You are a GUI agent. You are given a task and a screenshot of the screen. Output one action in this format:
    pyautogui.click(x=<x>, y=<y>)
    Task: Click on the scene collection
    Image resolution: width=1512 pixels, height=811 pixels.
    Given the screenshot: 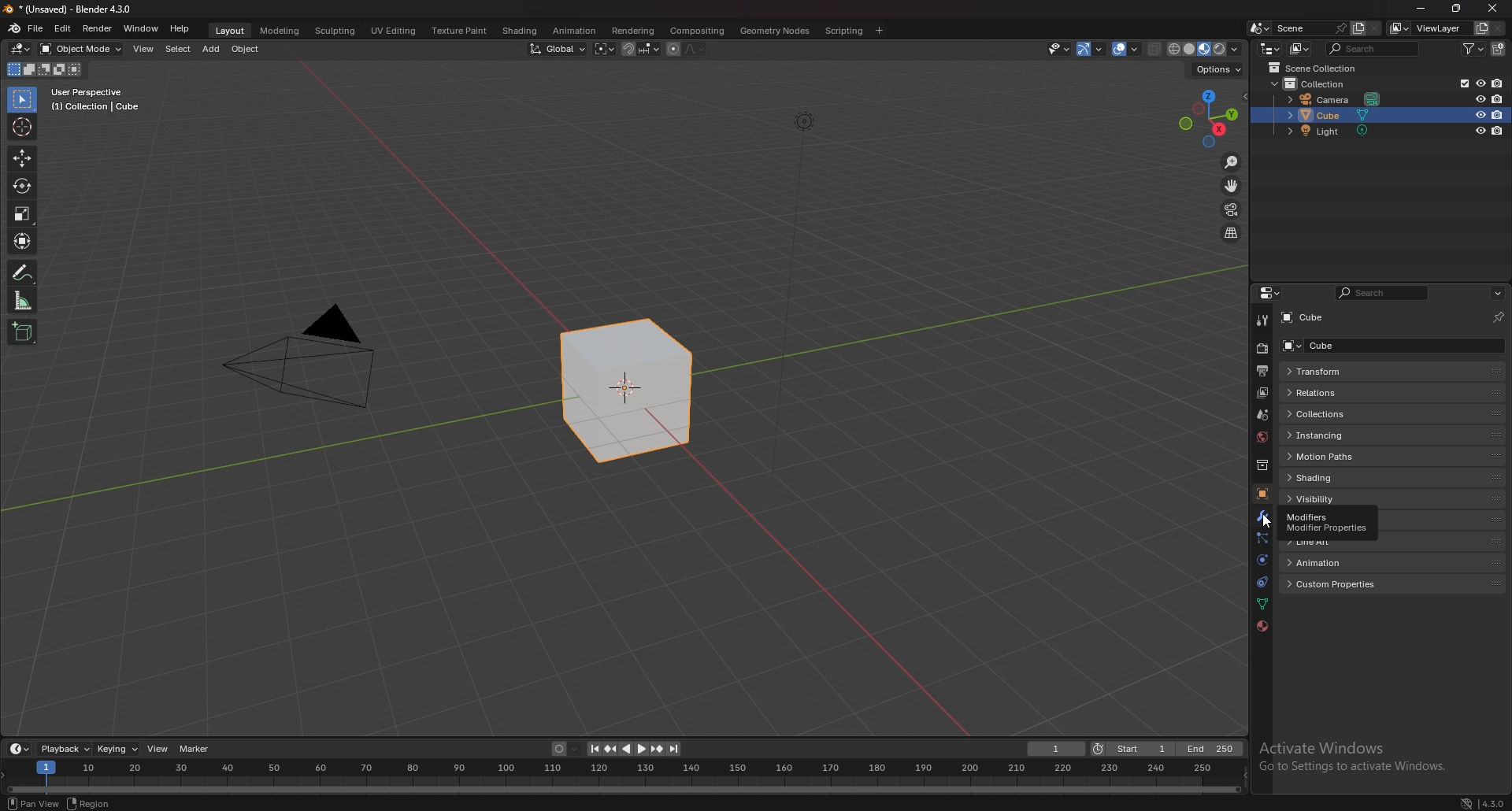 What is the action you would take?
    pyautogui.click(x=1319, y=68)
    